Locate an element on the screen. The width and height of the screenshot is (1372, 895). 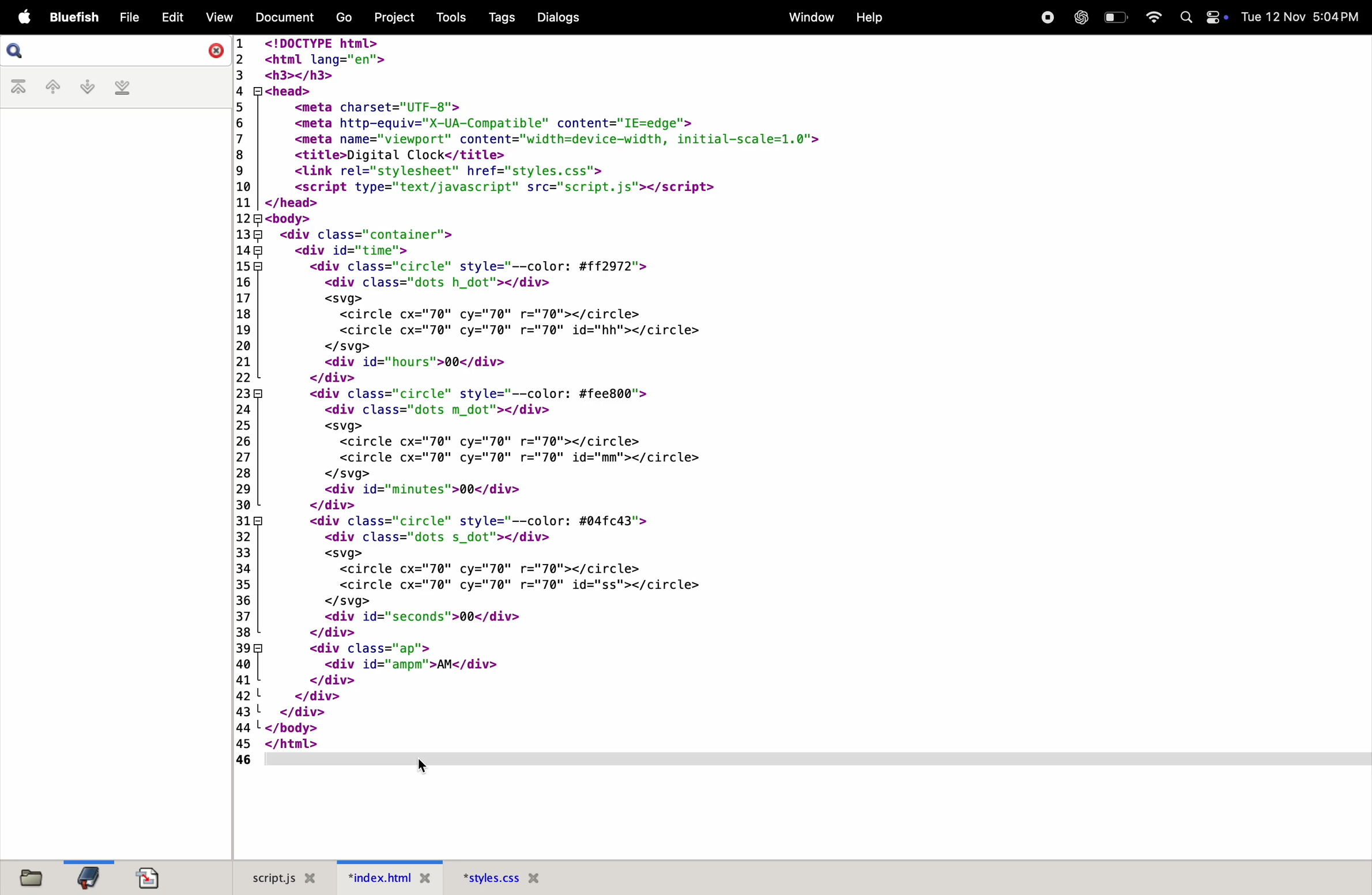
tools is located at coordinates (454, 18).